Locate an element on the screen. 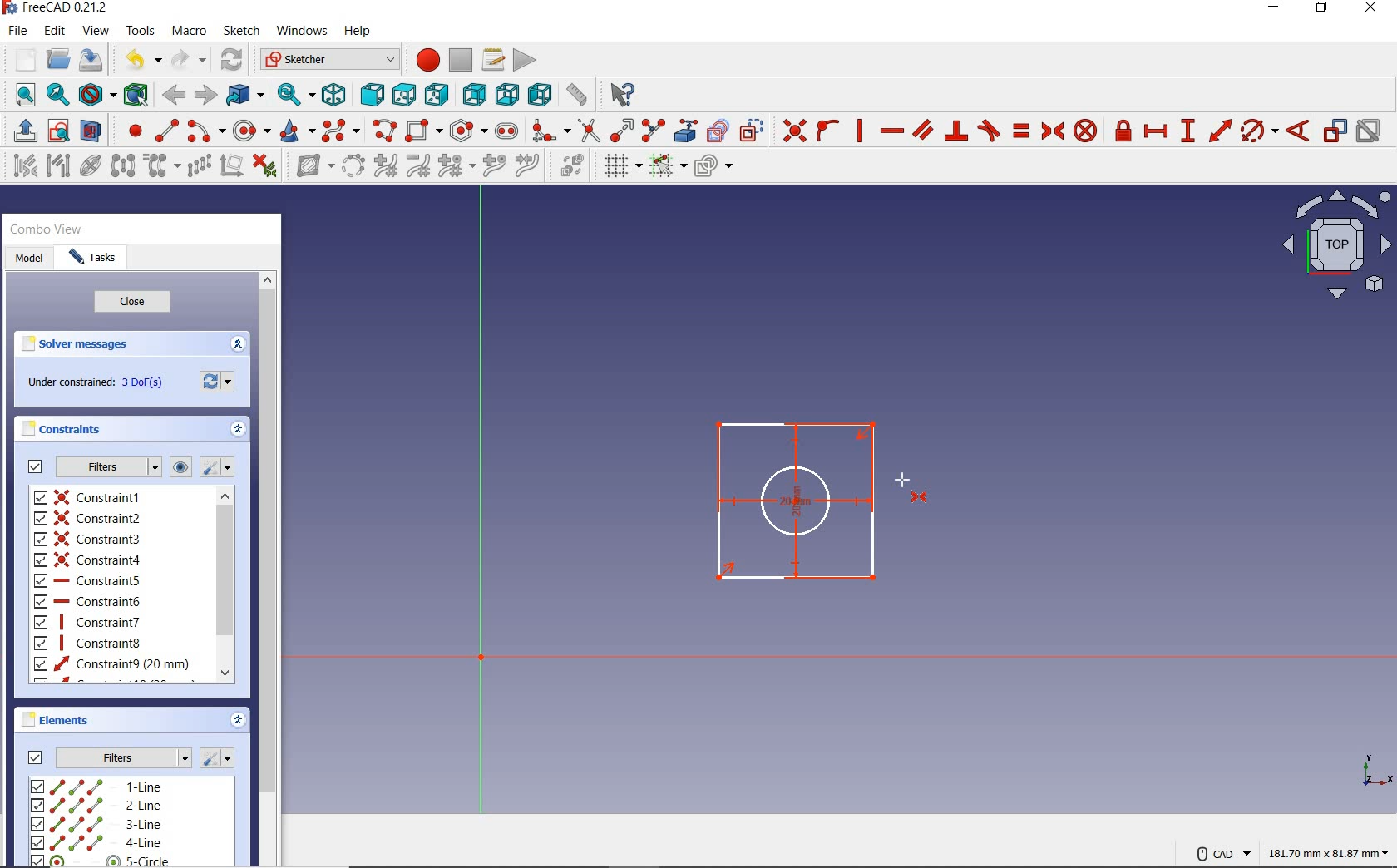  constrain block is located at coordinates (1087, 132).